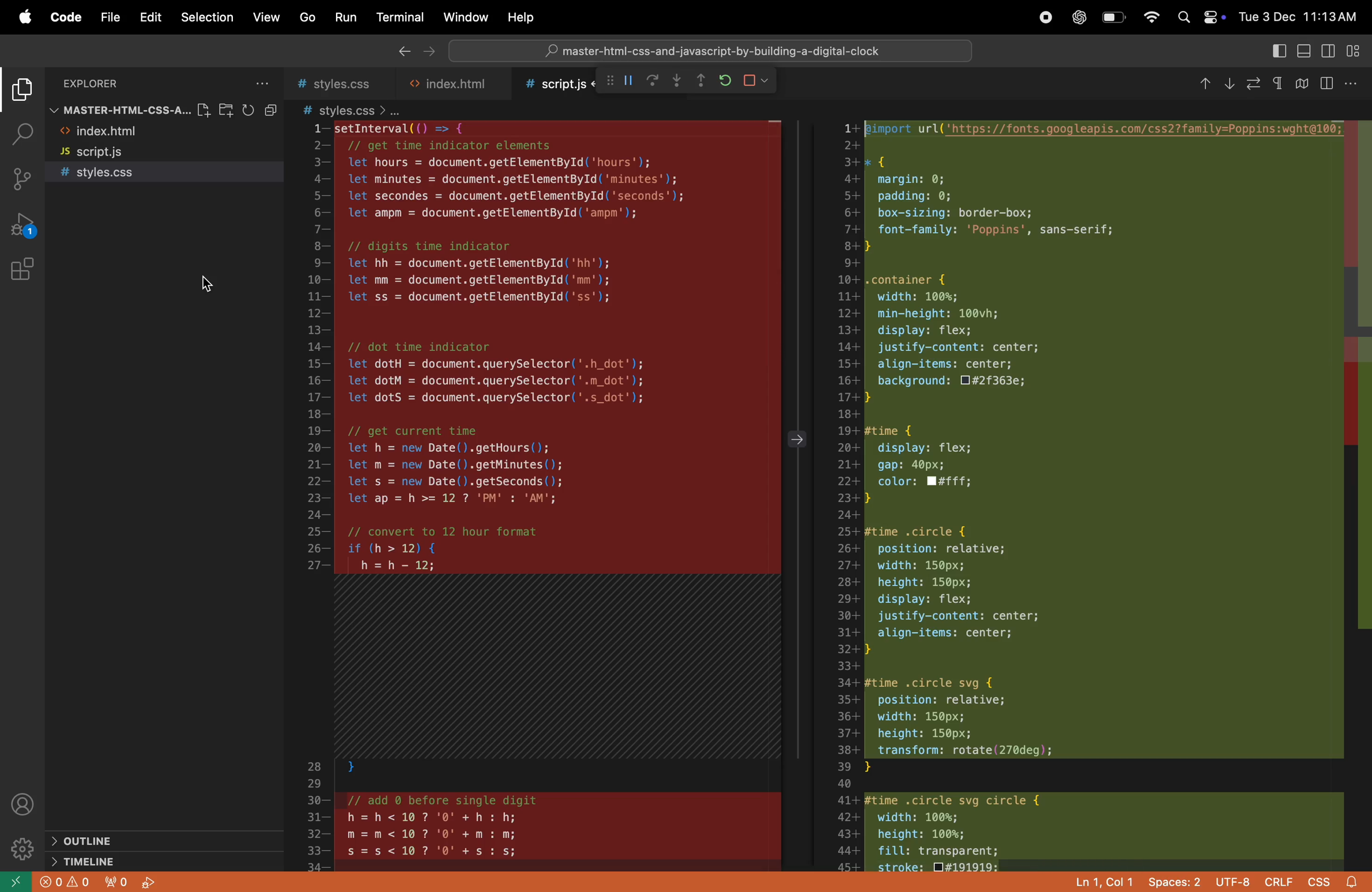 Image resolution: width=1372 pixels, height=892 pixels. I want to click on apple widgets, so click(1197, 16).